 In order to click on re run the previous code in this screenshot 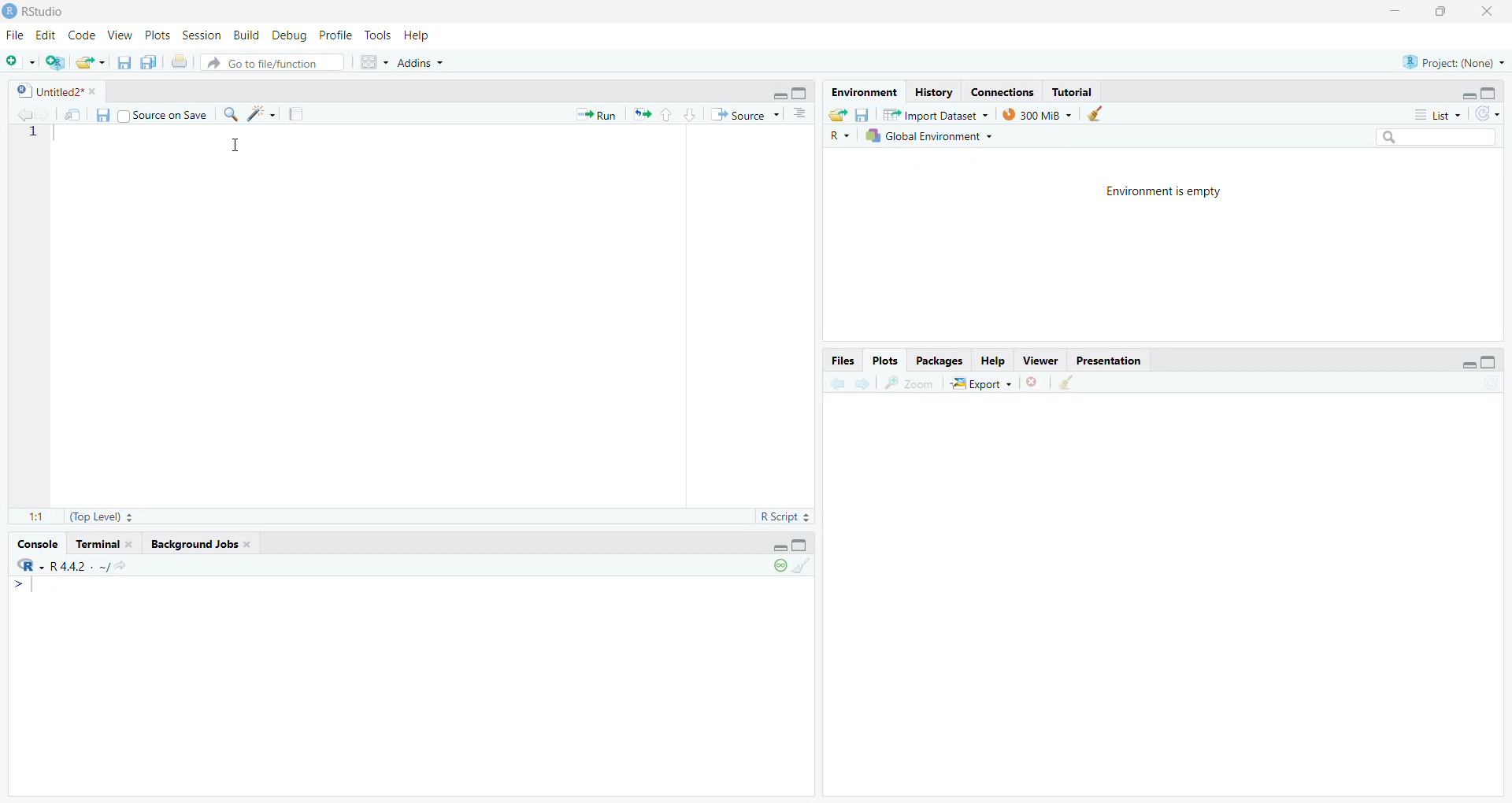, I will do `click(642, 113)`.